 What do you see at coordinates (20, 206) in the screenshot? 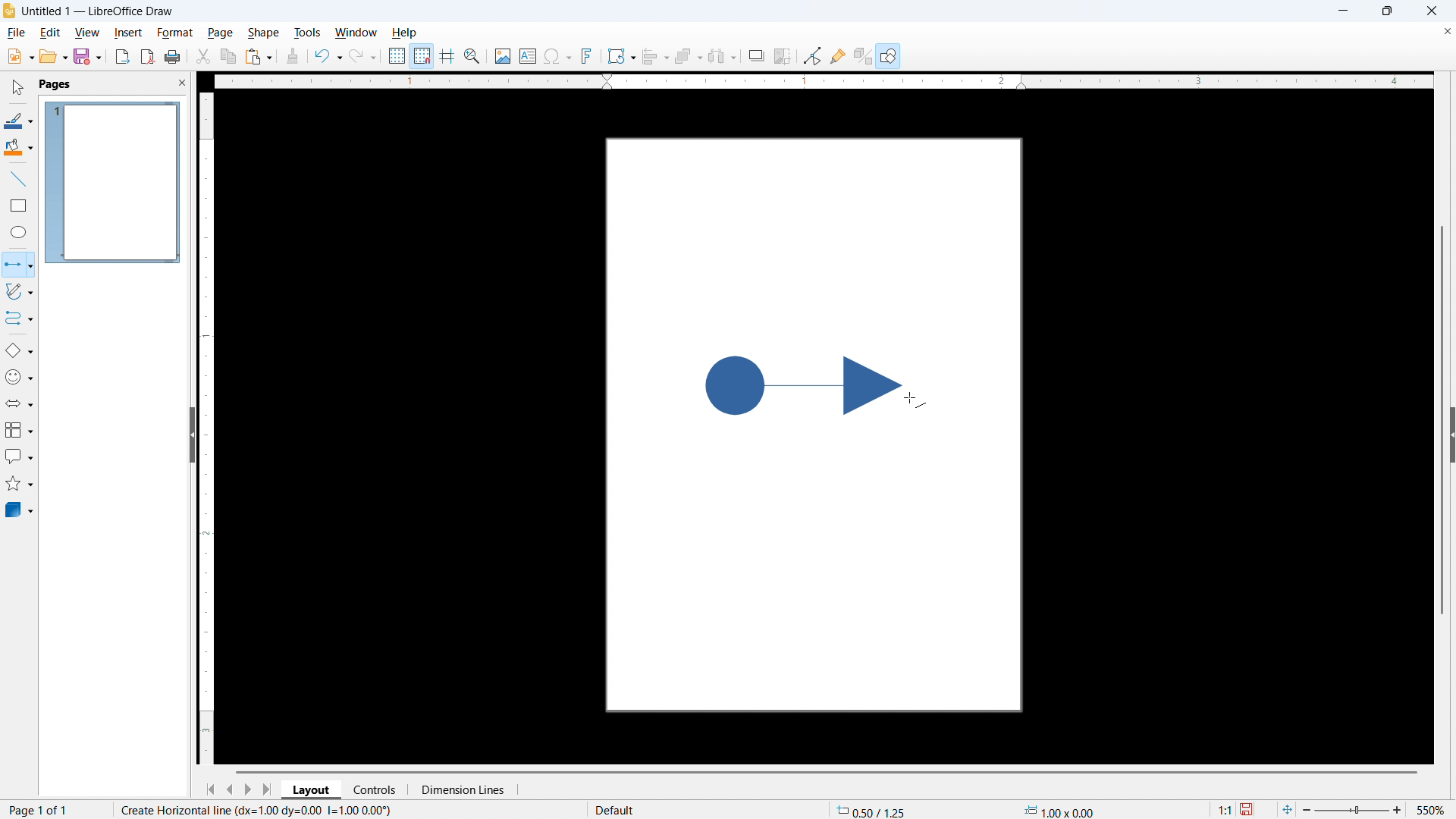
I see `Rectangle ` at bounding box center [20, 206].